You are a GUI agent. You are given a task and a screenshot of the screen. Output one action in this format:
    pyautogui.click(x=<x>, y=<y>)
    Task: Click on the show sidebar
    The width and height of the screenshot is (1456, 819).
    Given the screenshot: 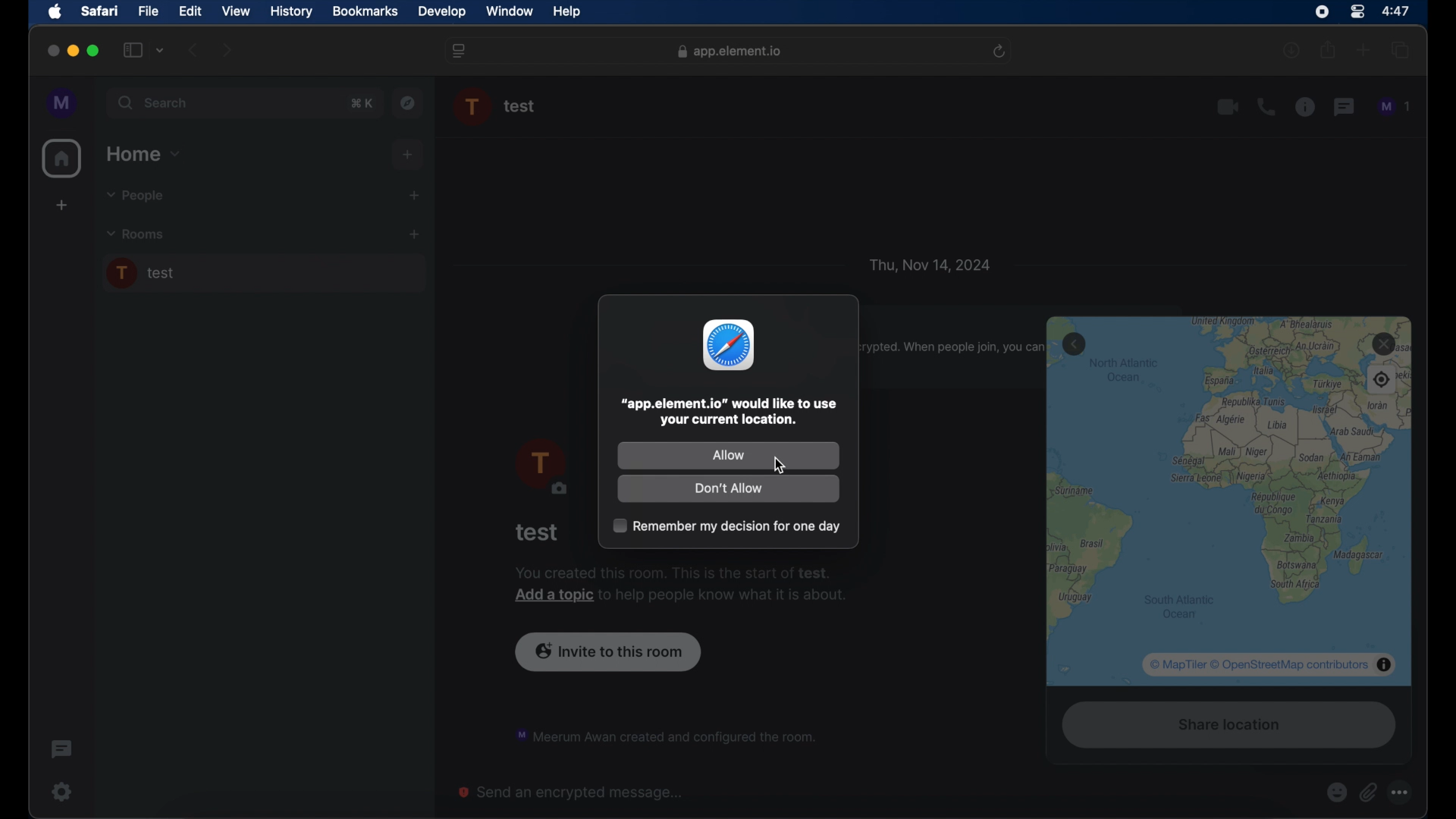 What is the action you would take?
    pyautogui.click(x=132, y=51)
    